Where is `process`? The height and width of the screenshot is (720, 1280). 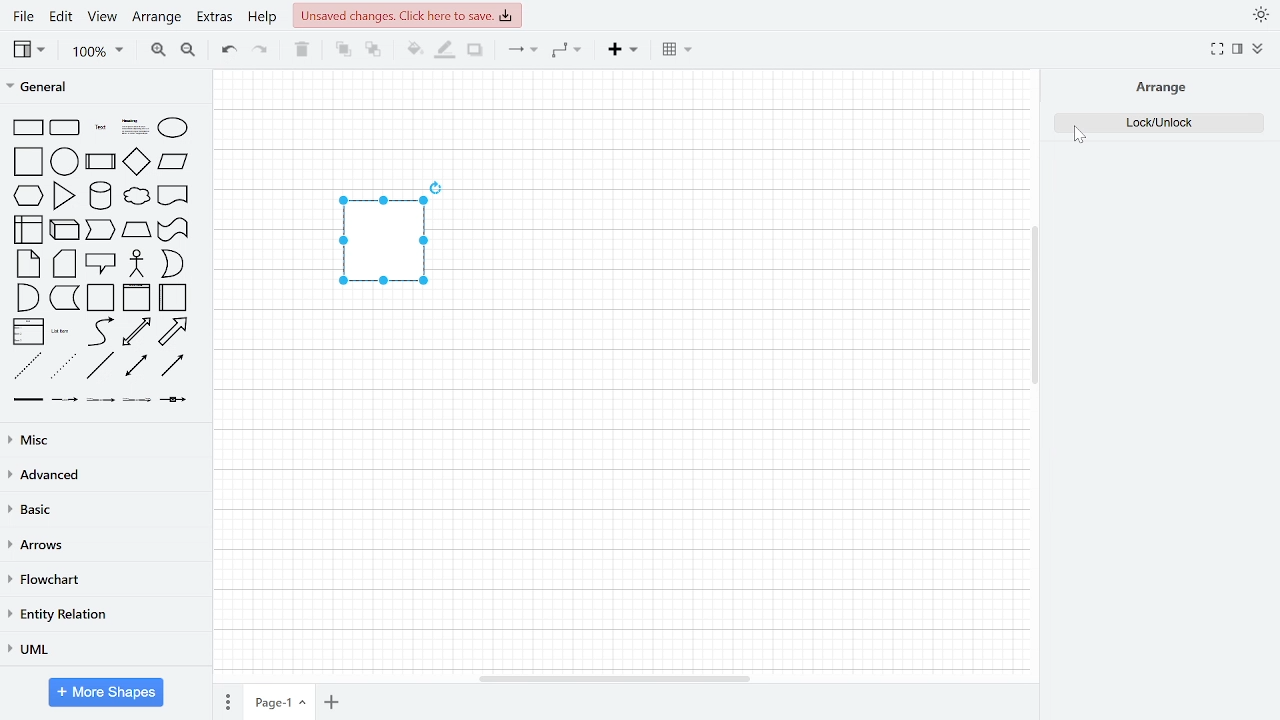
process is located at coordinates (101, 162).